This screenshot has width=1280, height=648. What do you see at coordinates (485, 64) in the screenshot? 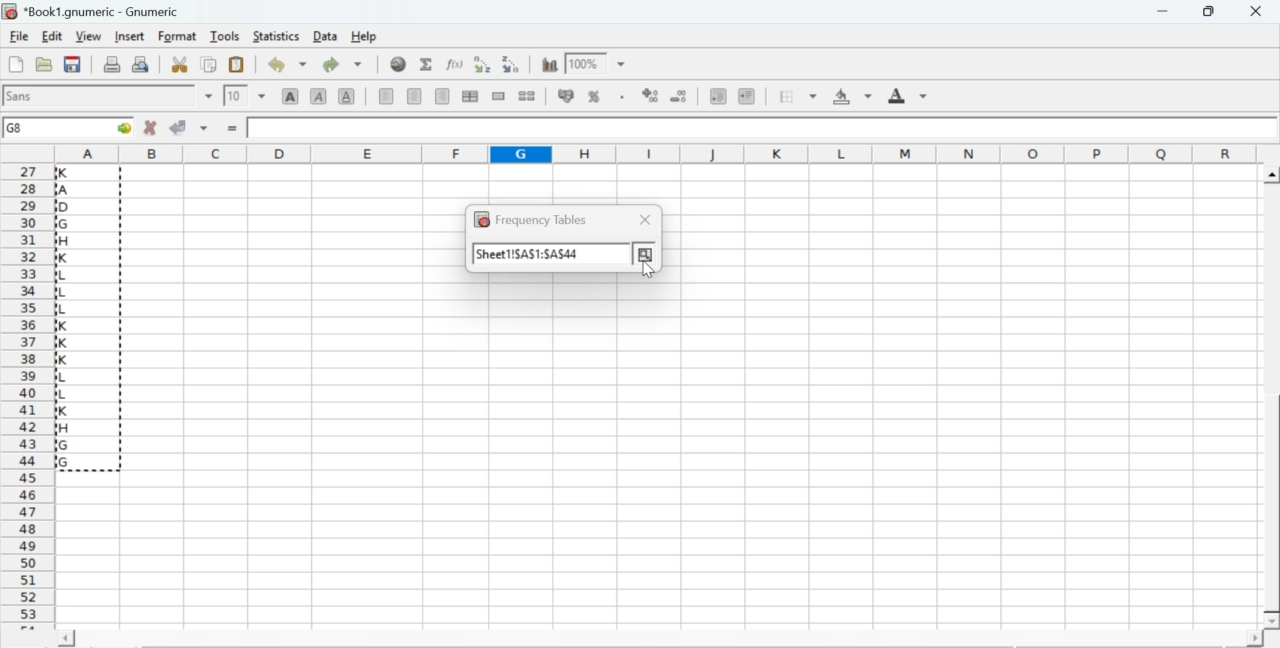
I see `Sort the selected region in ascending order based on the first column selected` at bounding box center [485, 64].